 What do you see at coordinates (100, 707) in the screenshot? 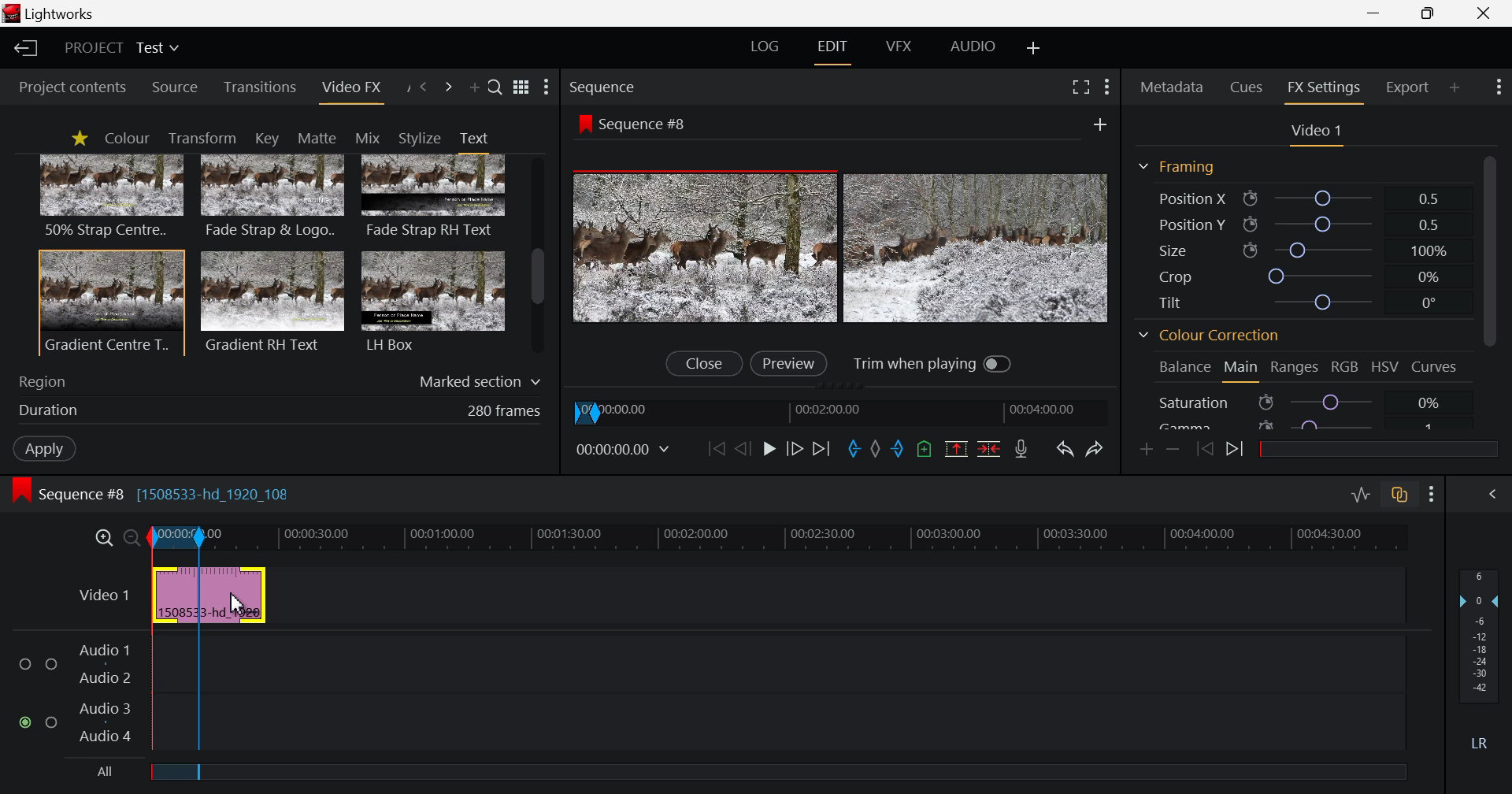
I see `audio 3` at bounding box center [100, 707].